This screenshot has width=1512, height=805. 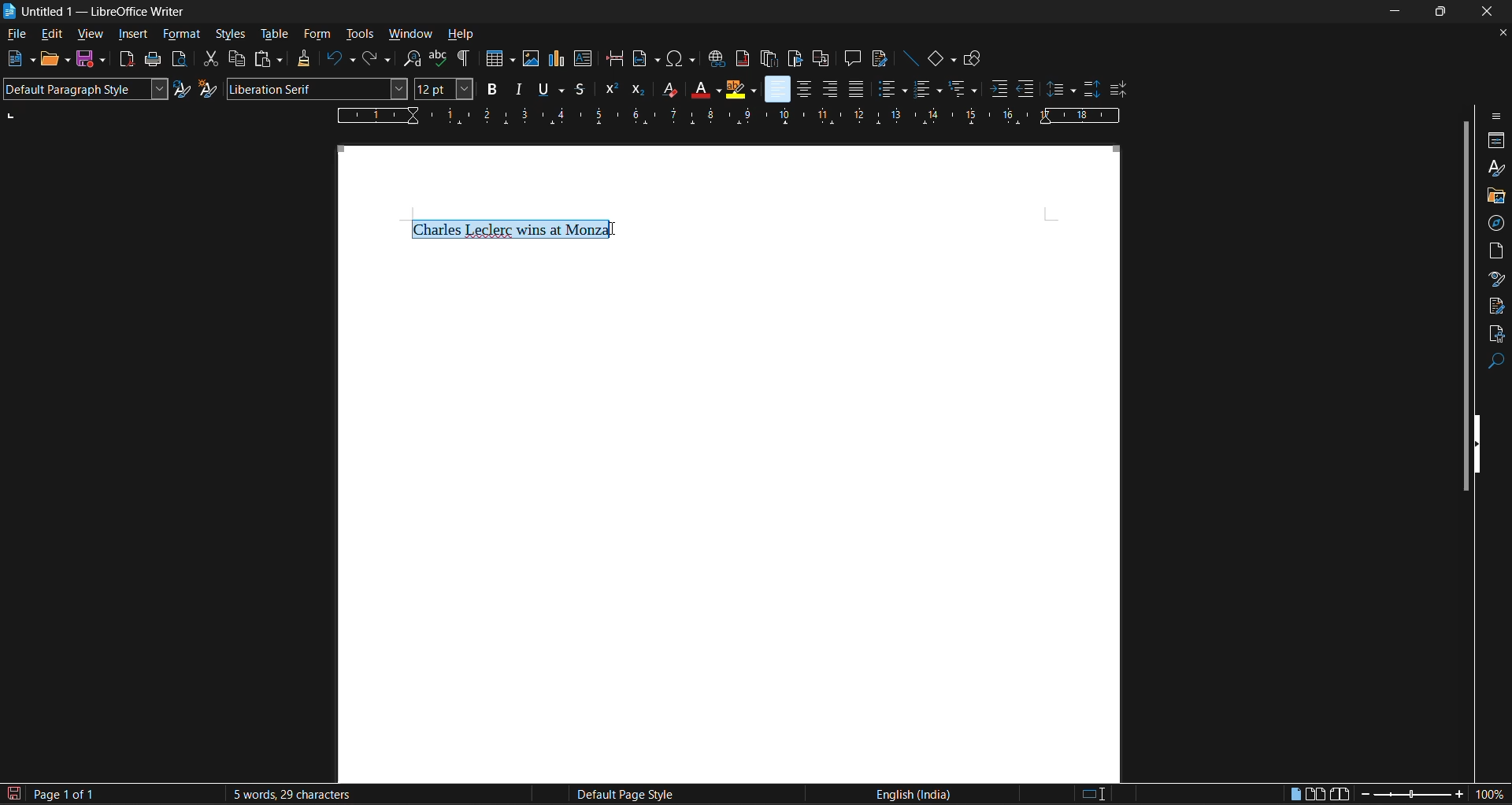 I want to click on underline, so click(x=548, y=91).